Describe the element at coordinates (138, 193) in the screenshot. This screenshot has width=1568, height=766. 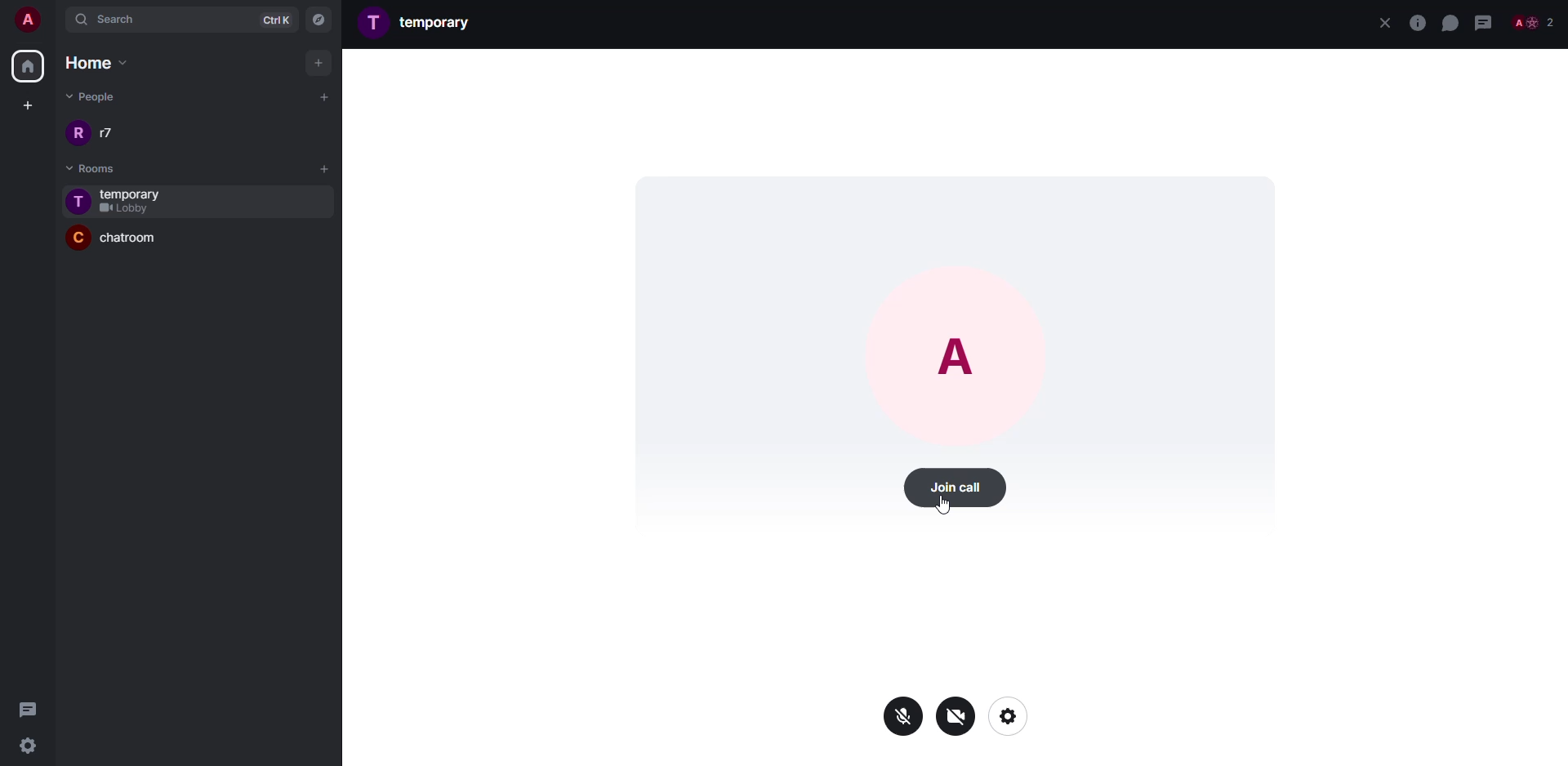
I see `room` at that location.